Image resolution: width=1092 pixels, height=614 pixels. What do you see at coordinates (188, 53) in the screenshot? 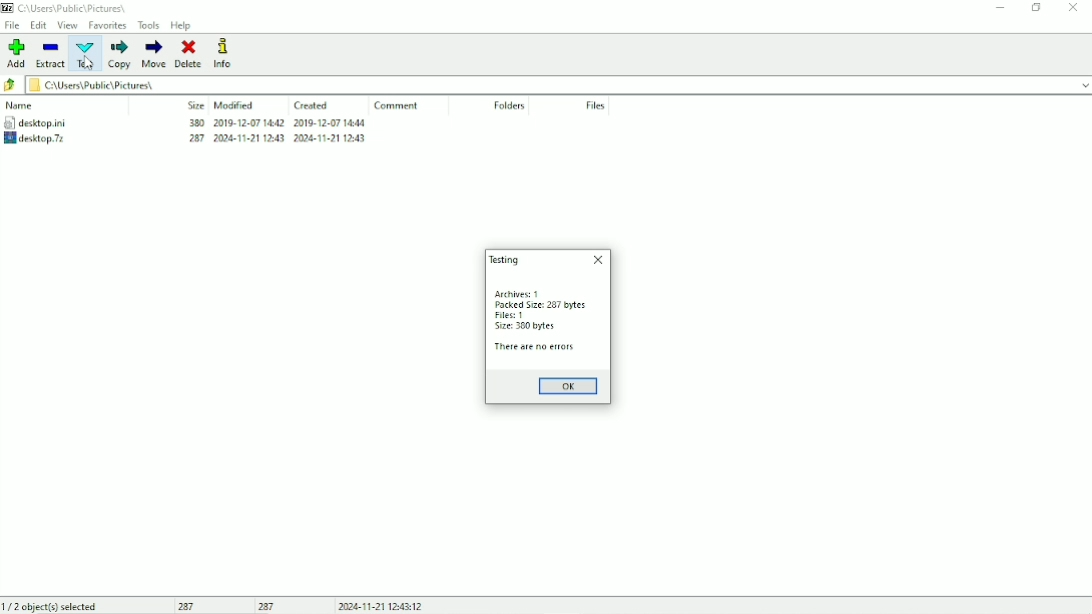
I see `Delete` at bounding box center [188, 53].